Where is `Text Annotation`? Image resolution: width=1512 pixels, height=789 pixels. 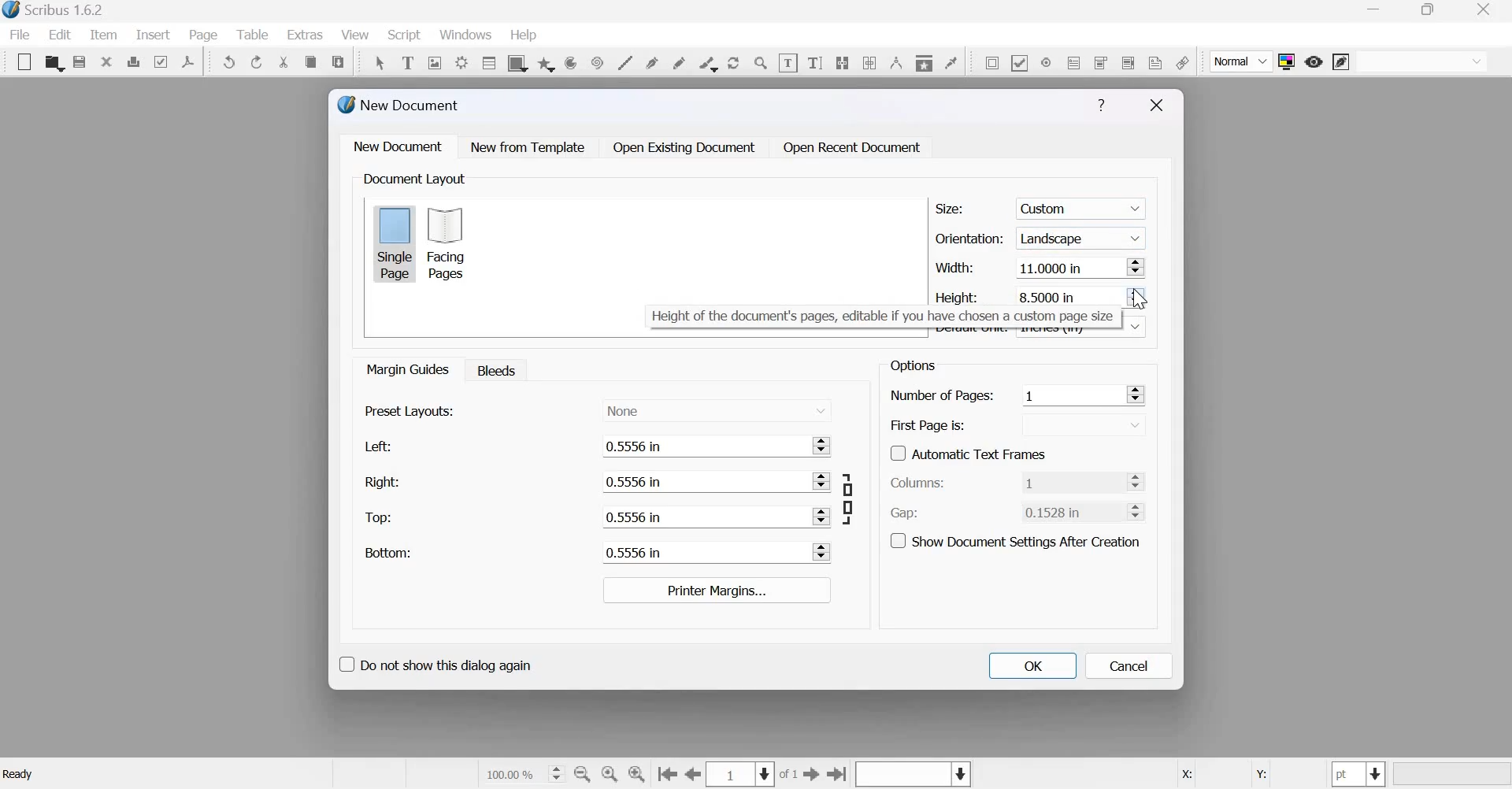 Text Annotation is located at coordinates (1155, 62).